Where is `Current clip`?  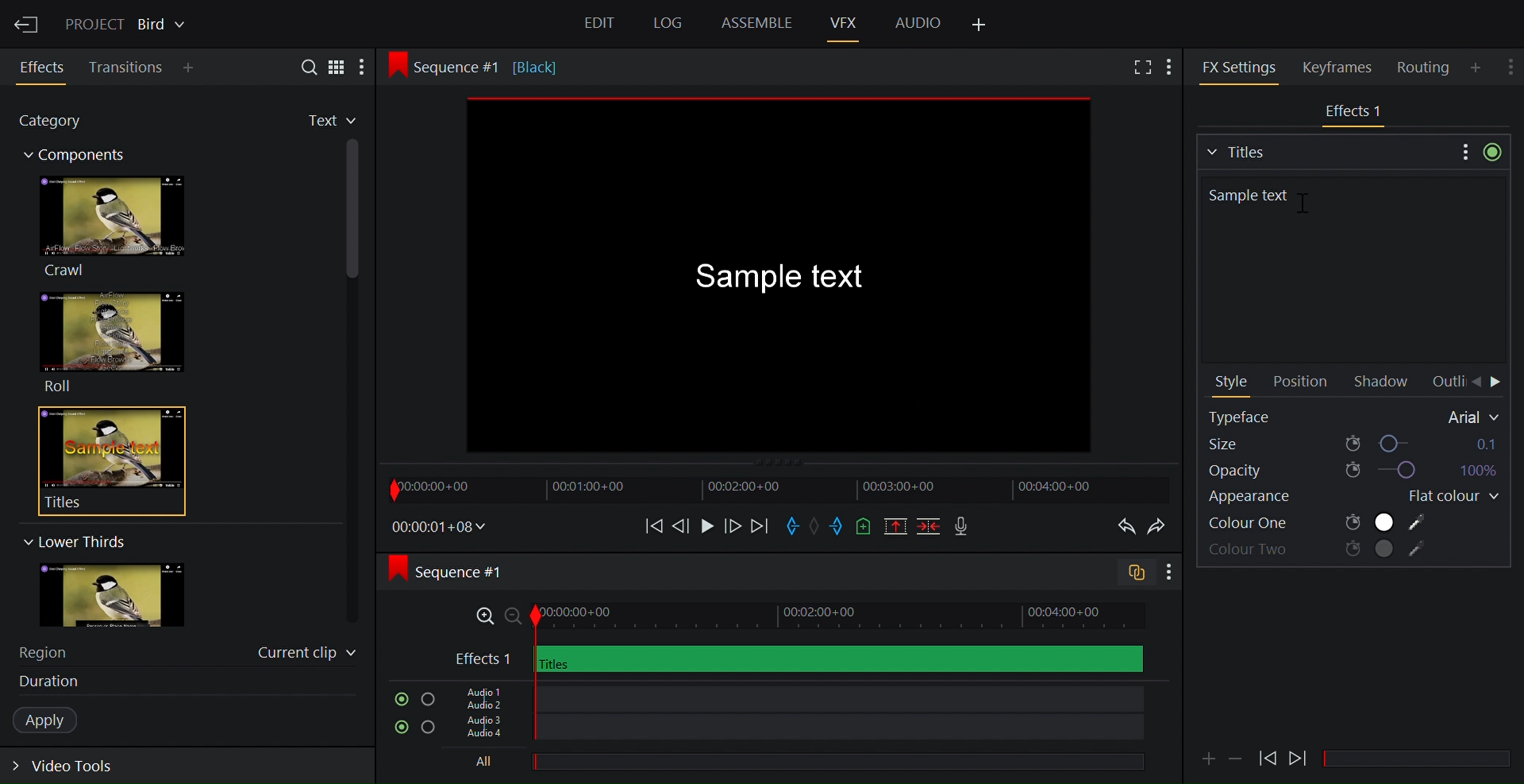
Current clip is located at coordinates (307, 655).